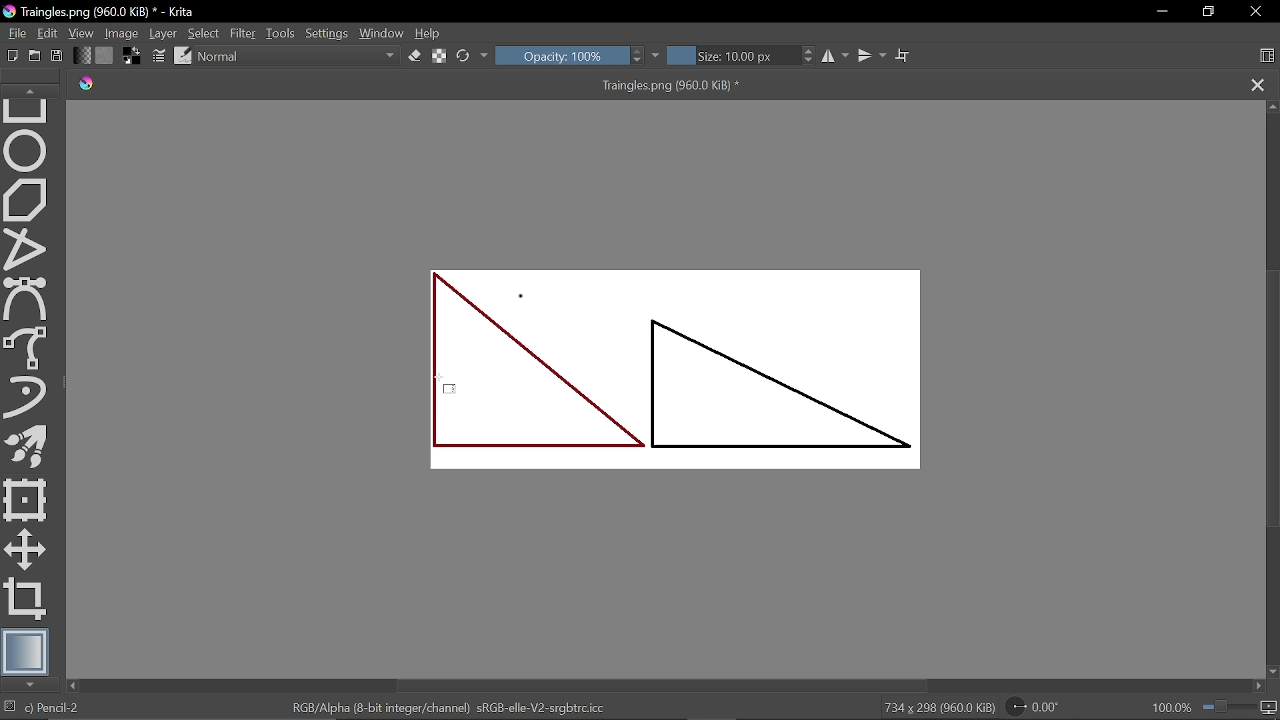 The image size is (1280, 720). Describe the element at coordinates (8, 708) in the screenshot. I see `No selection ` at that location.